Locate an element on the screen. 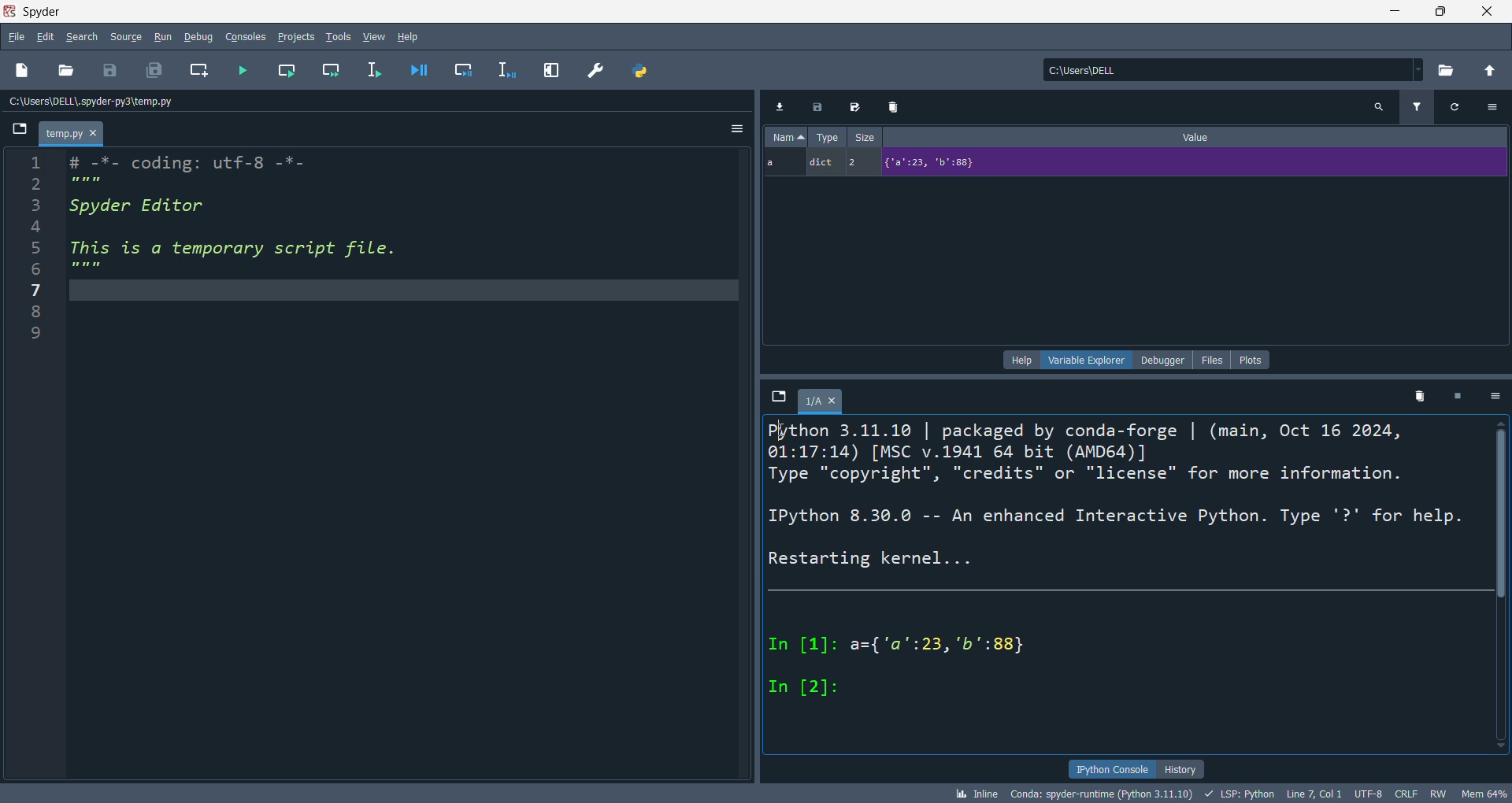 This screenshot has width=1512, height=803. variable explorer is located at coordinates (1085, 361).